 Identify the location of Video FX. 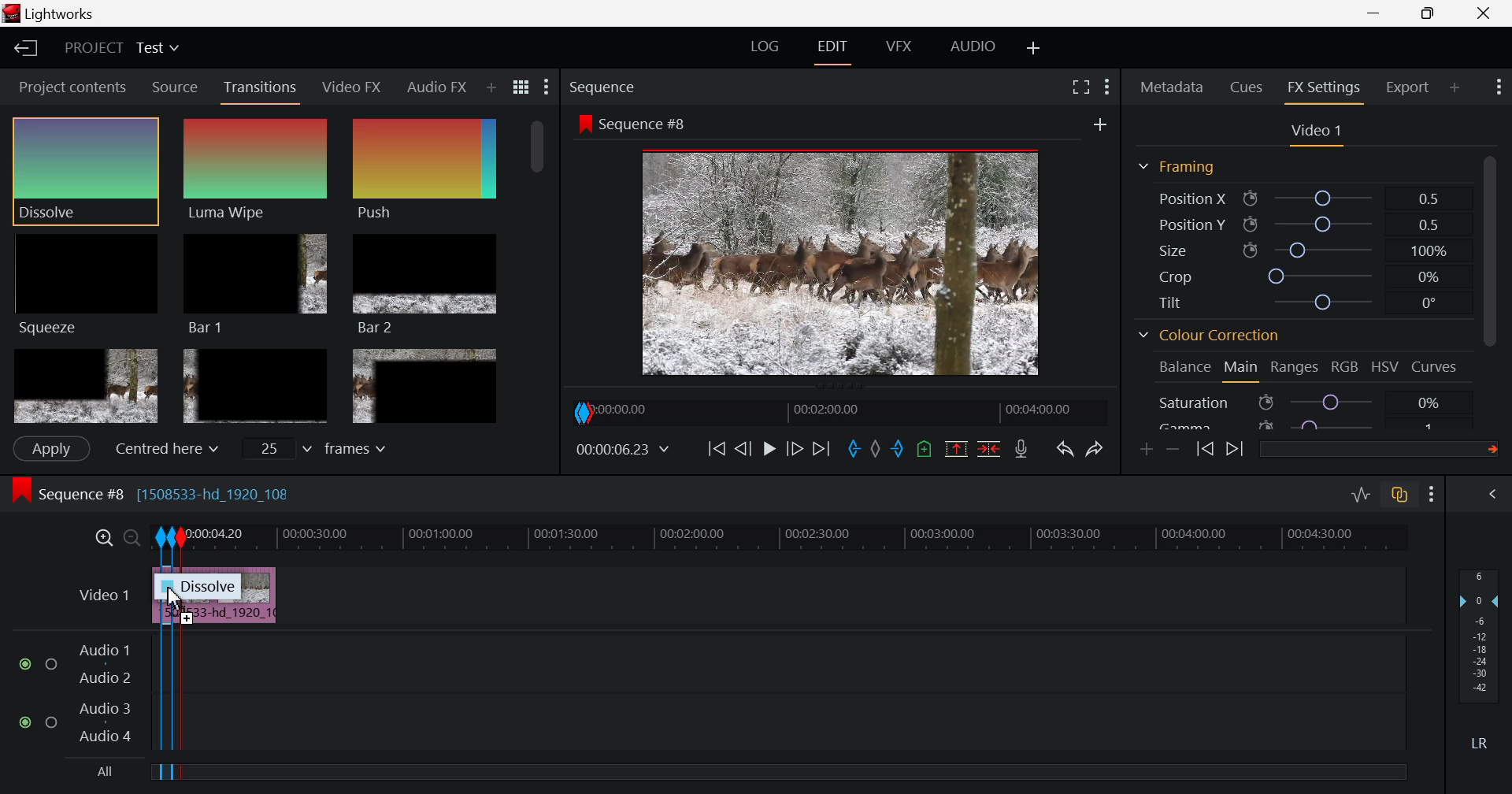
(353, 86).